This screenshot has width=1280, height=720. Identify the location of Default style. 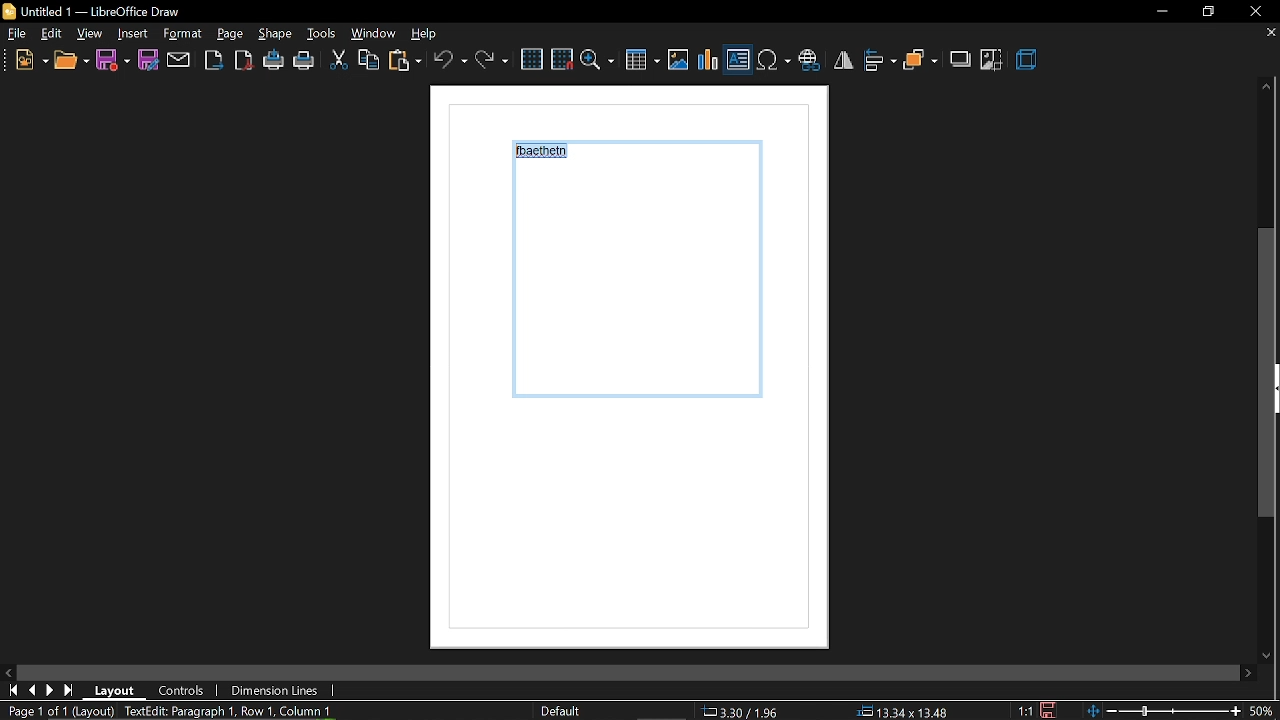
(564, 712).